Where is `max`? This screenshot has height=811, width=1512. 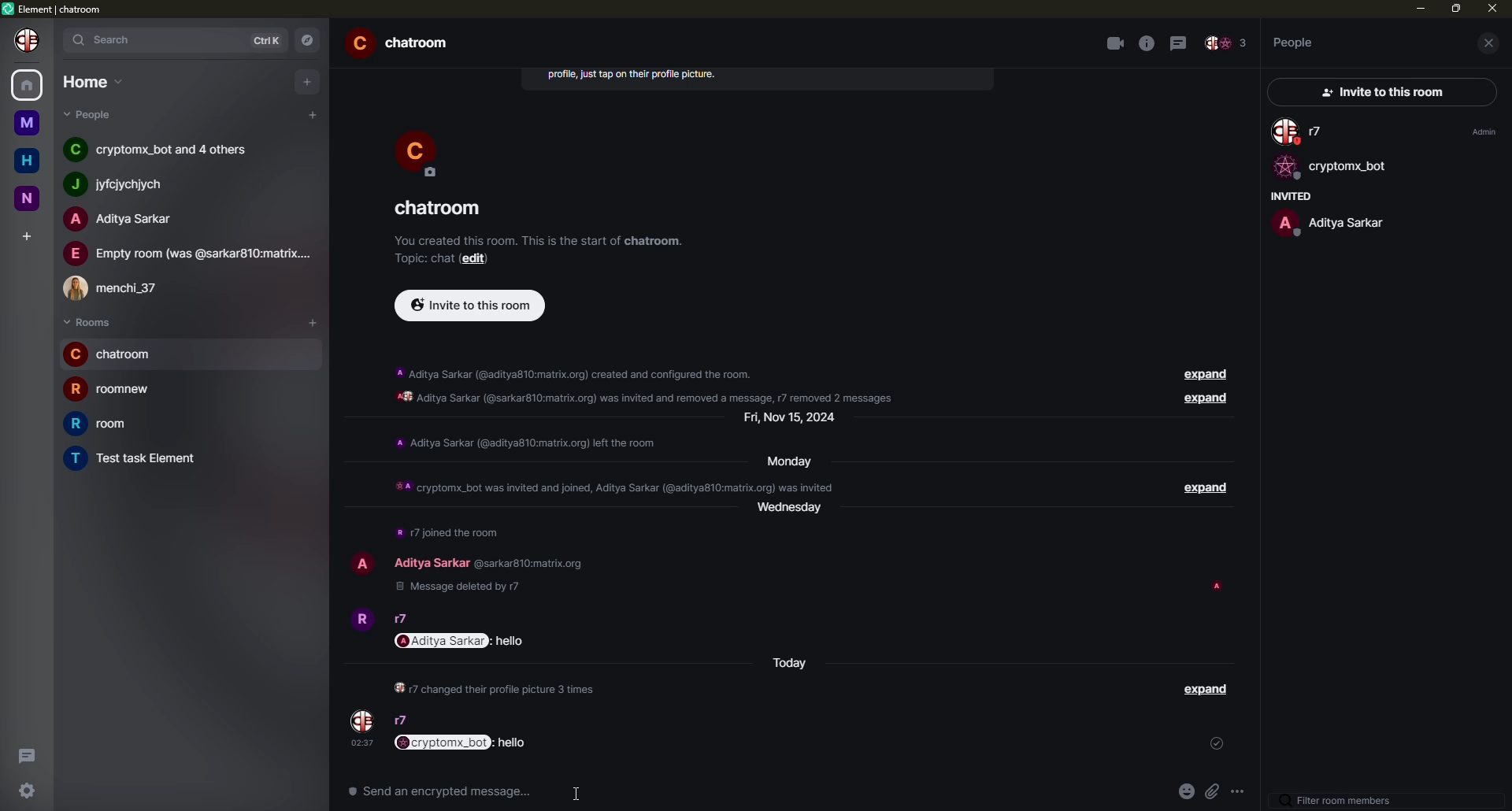
max is located at coordinates (1457, 8).